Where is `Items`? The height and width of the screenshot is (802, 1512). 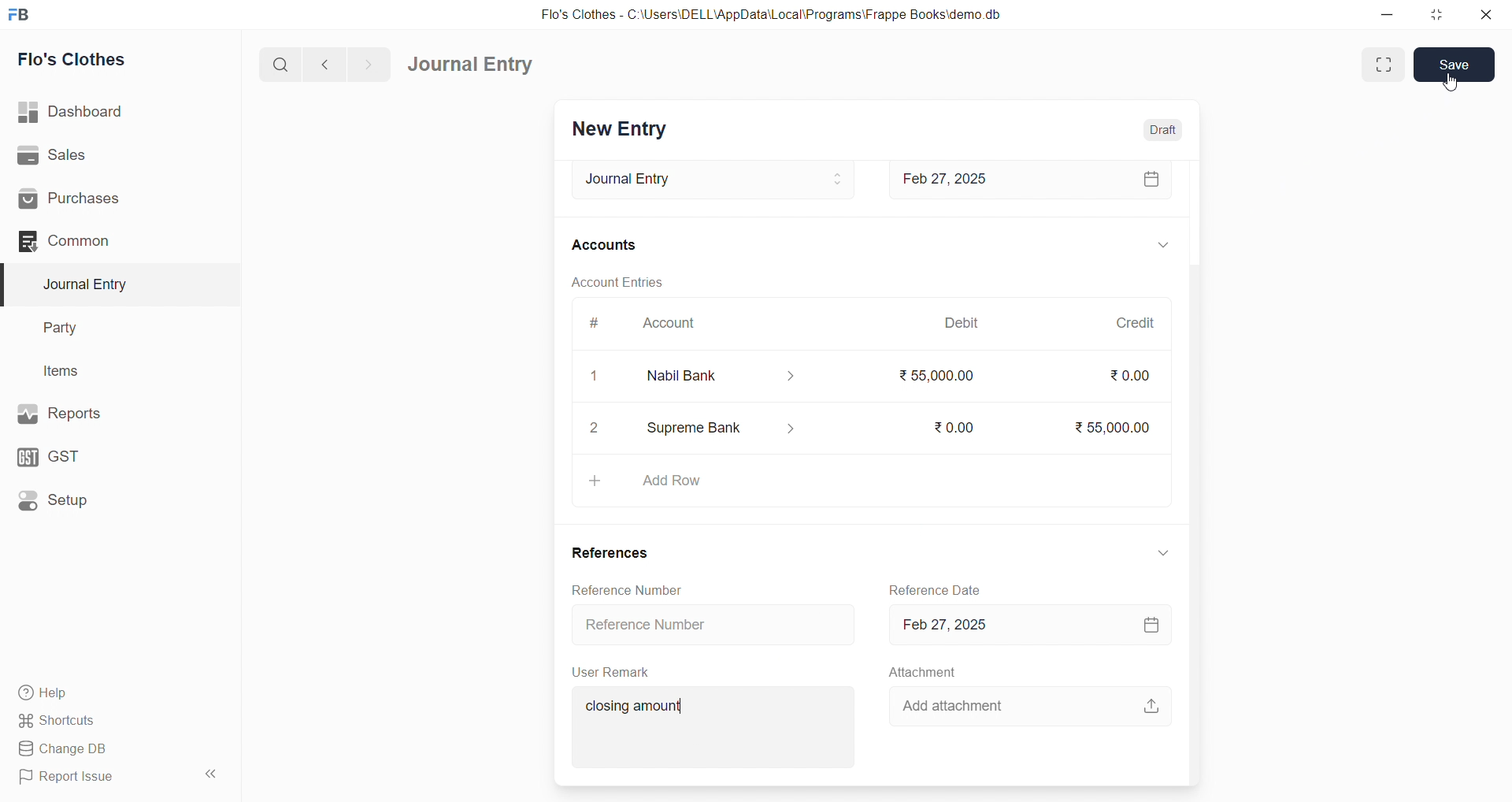 Items is located at coordinates (67, 370).